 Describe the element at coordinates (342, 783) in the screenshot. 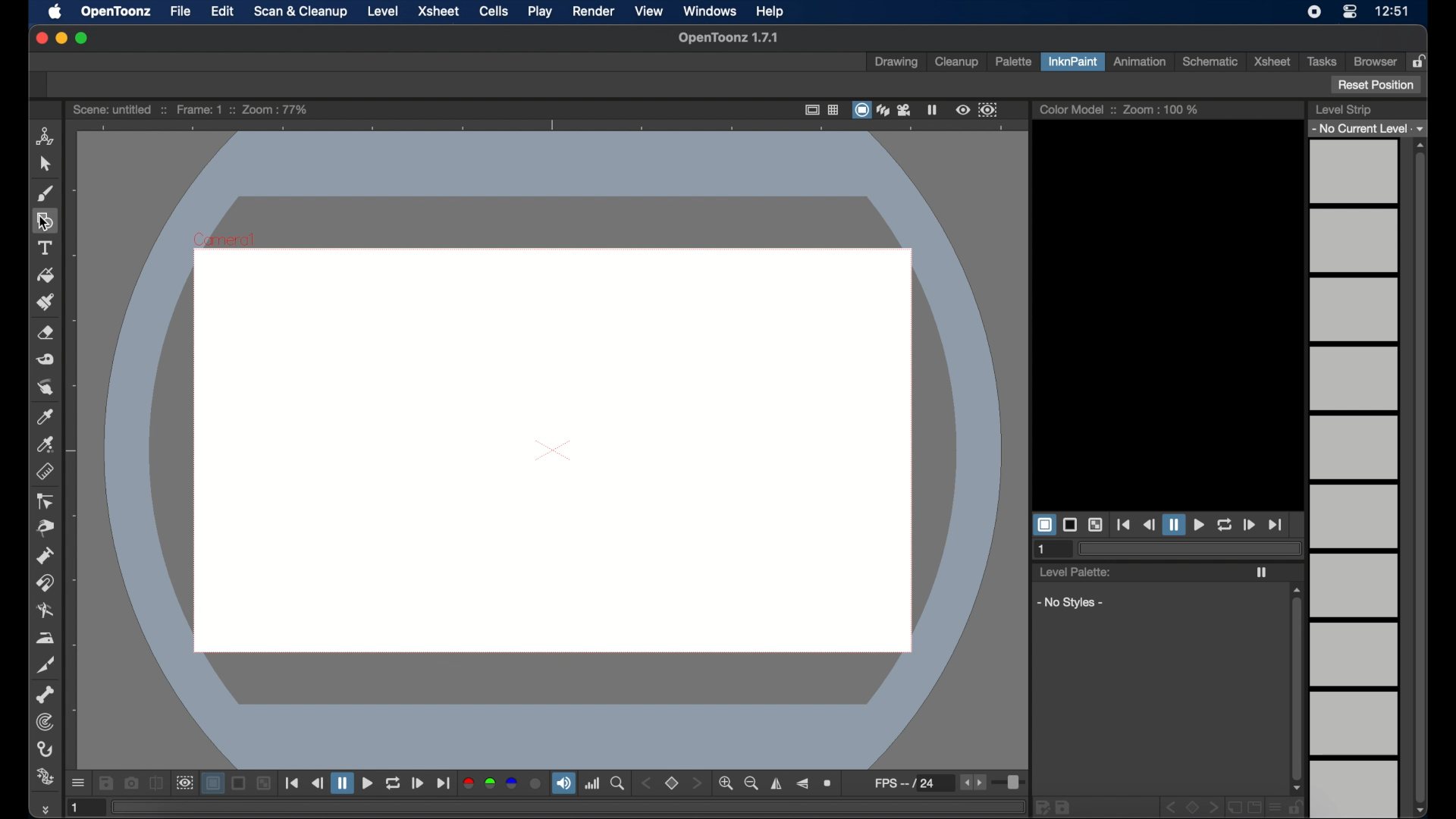

I see `pause button` at that location.